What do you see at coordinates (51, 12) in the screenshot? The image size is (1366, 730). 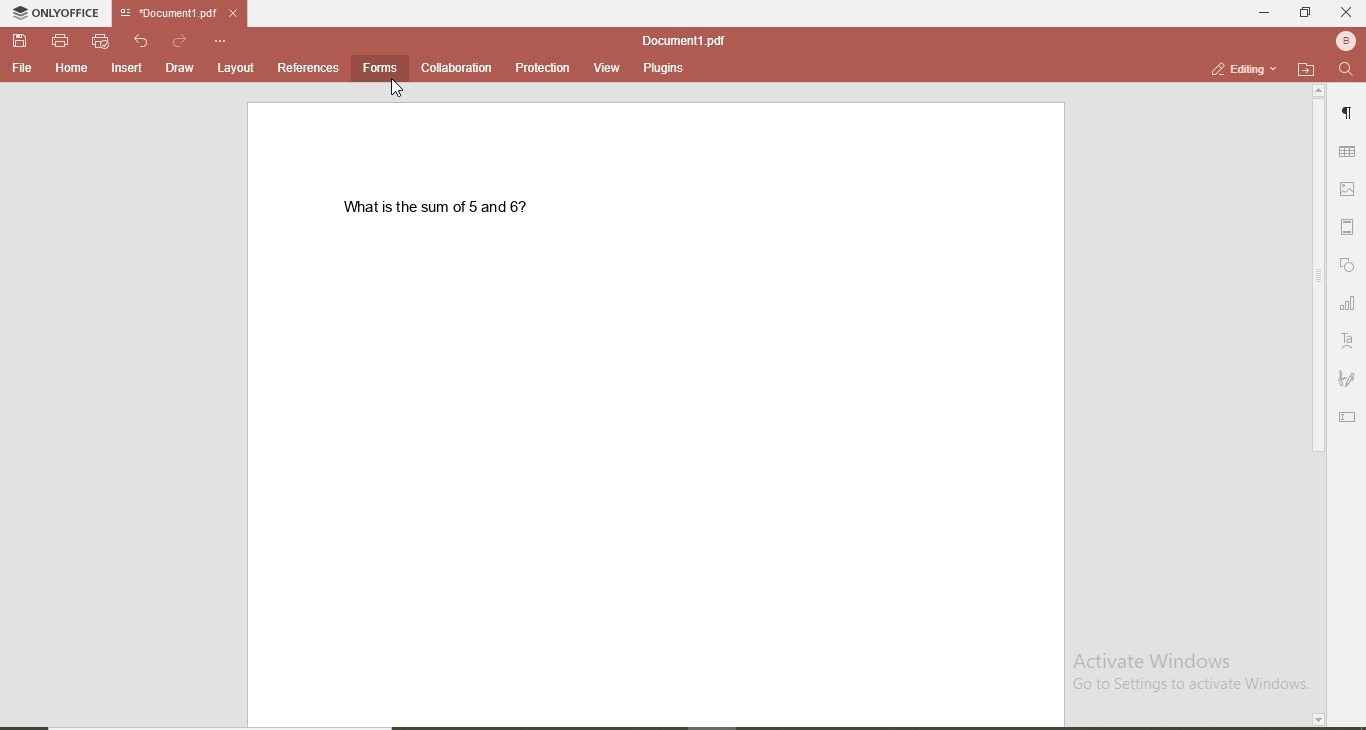 I see `onlyoffice` at bounding box center [51, 12].